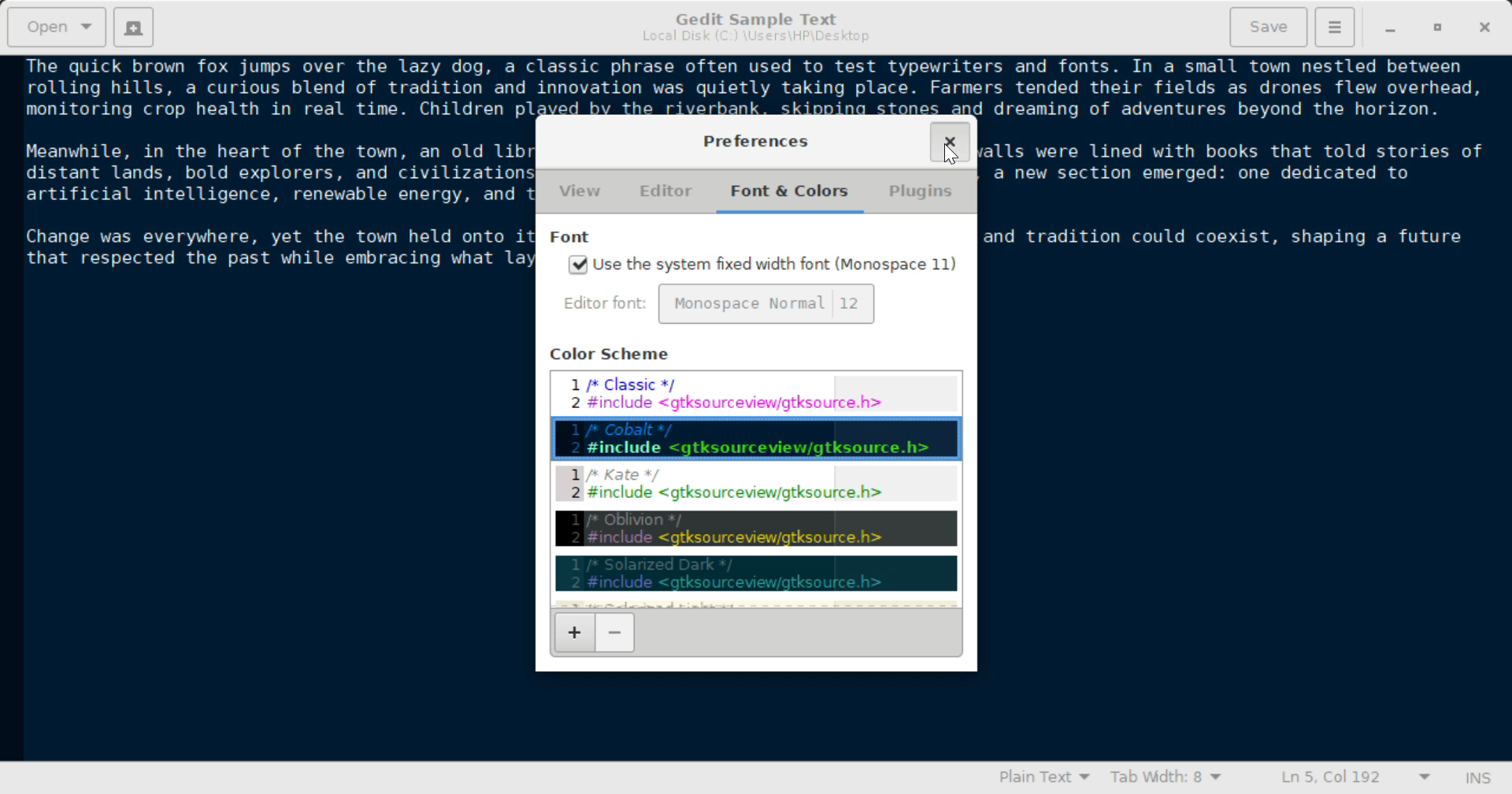  Describe the element at coordinates (755, 487) in the screenshot. I see `Kate Scheme` at that location.